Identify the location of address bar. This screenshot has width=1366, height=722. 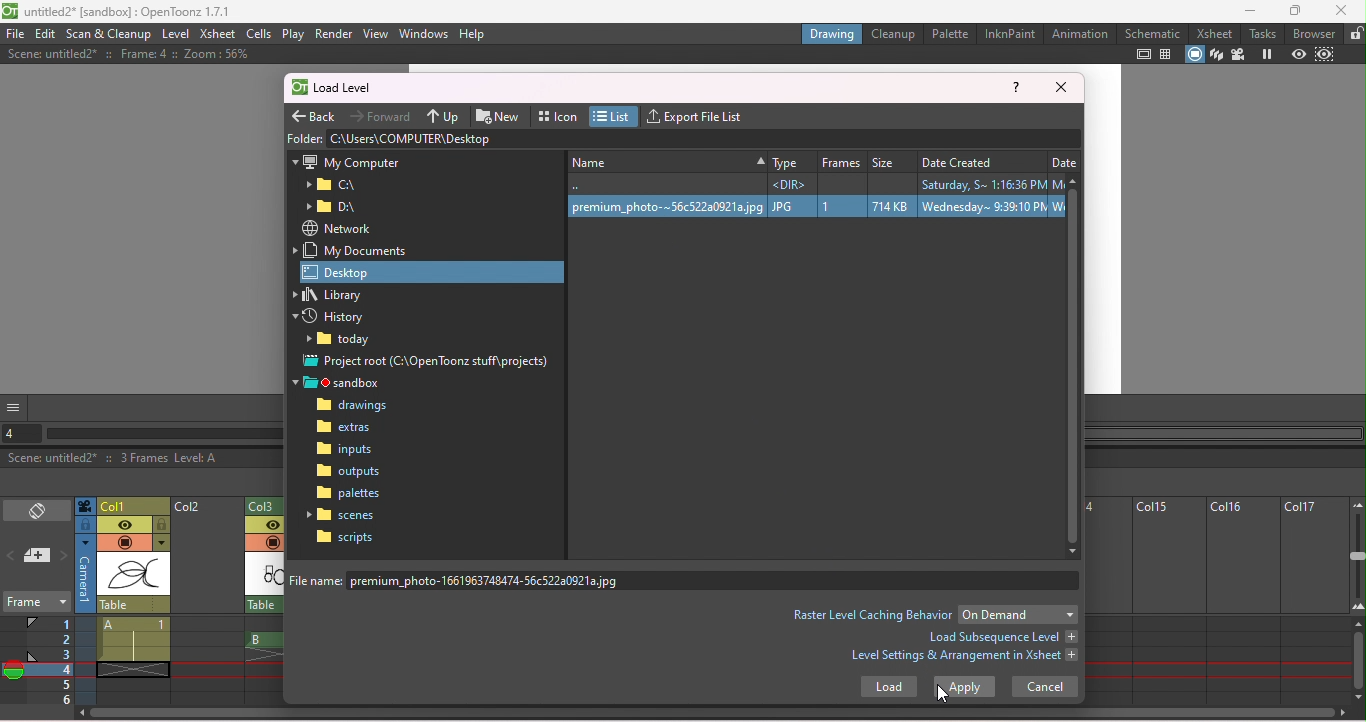
(703, 138).